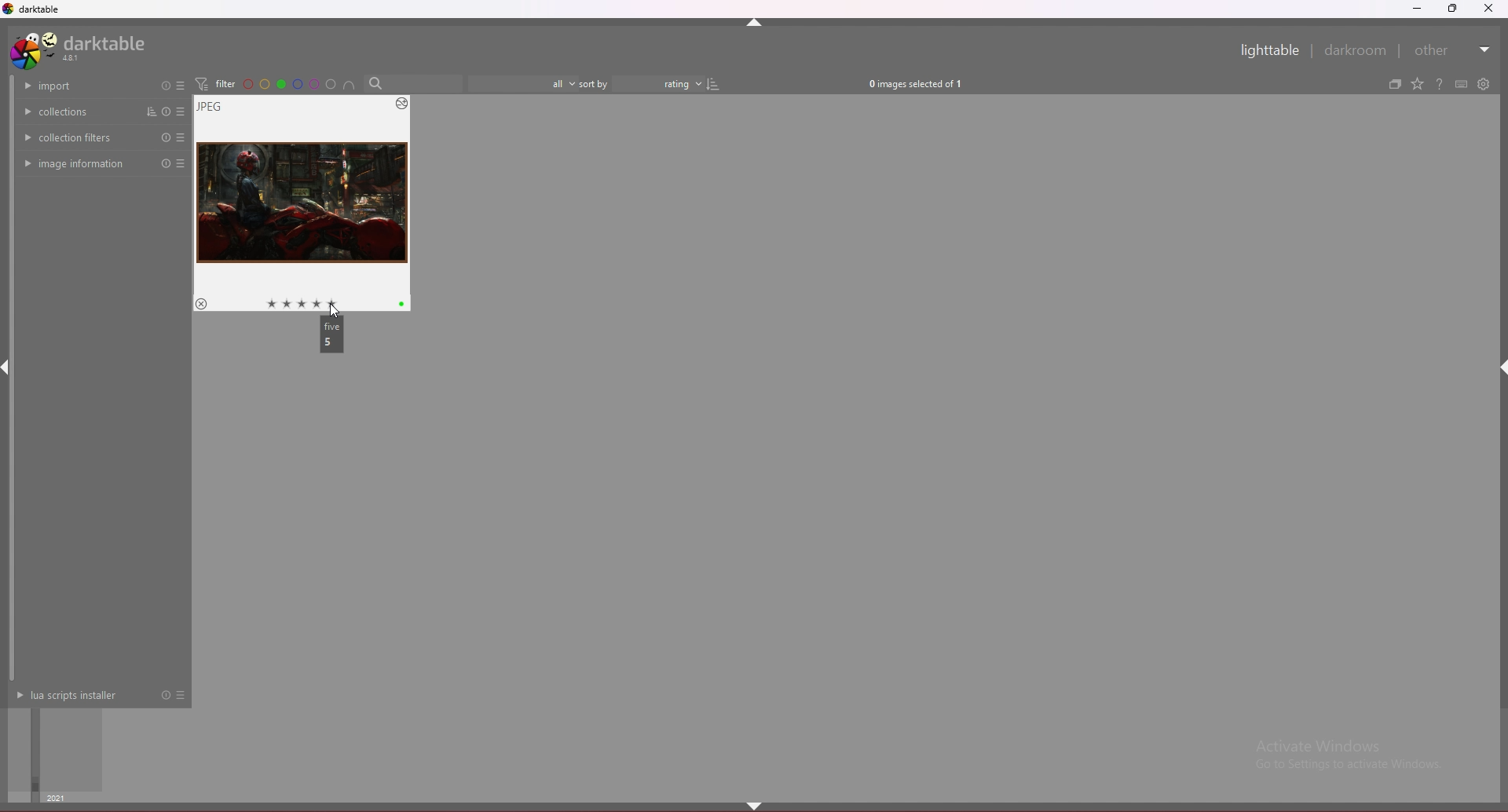 The height and width of the screenshot is (812, 1508). What do you see at coordinates (75, 112) in the screenshot?
I see `collections` at bounding box center [75, 112].